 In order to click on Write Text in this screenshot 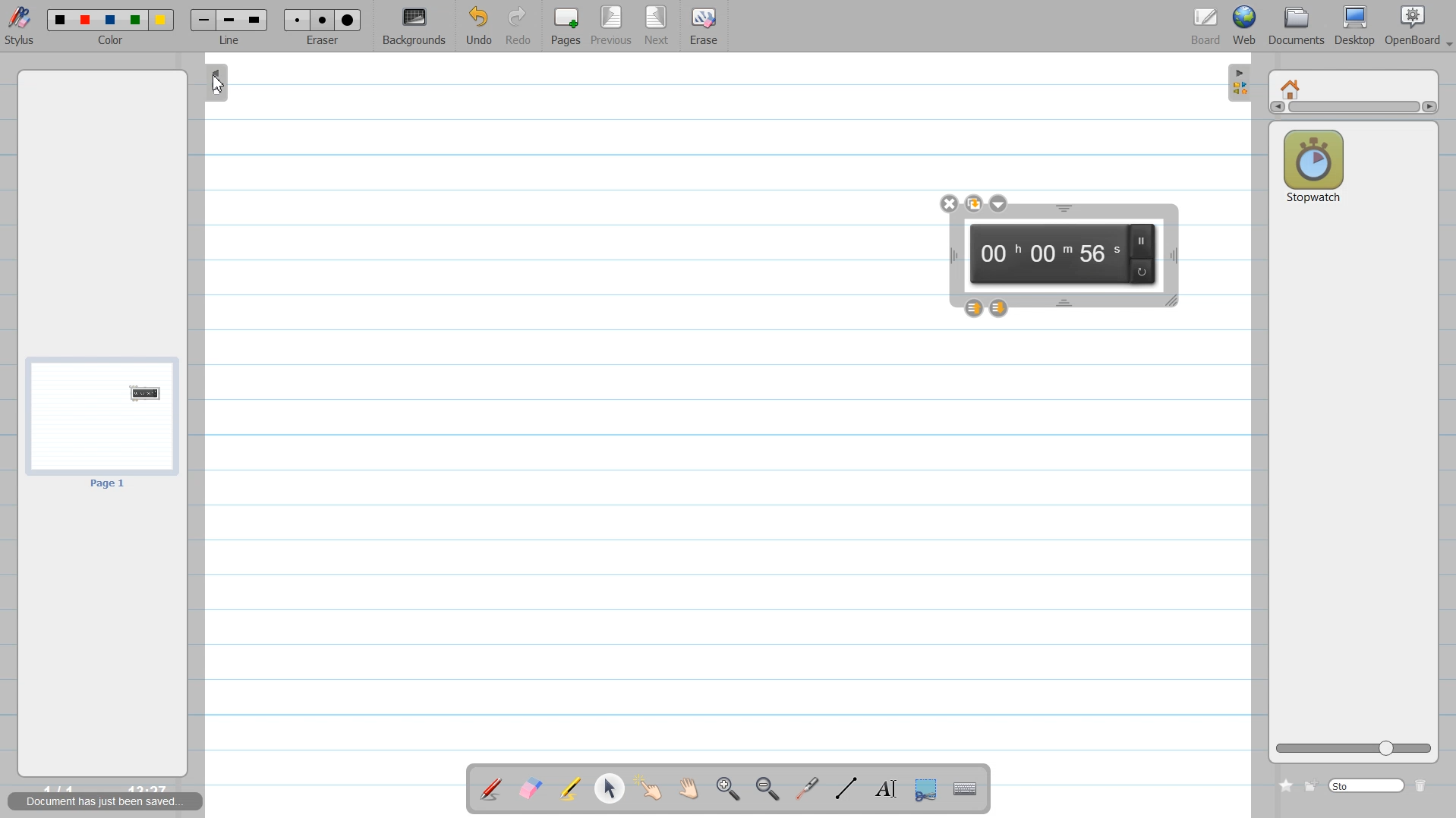, I will do `click(884, 789)`.